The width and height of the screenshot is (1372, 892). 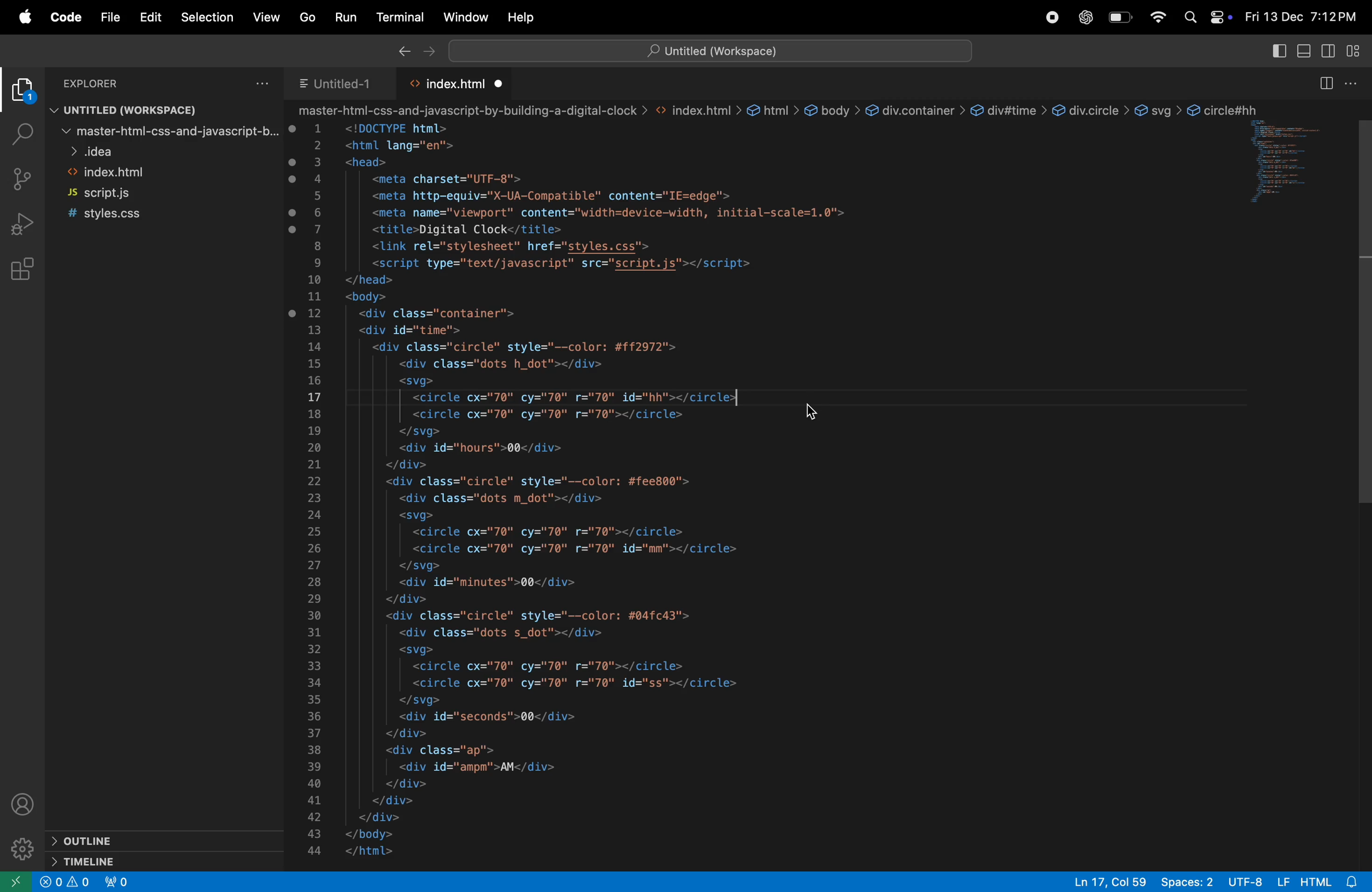 What do you see at coordinates (524, 14) in the screenshot?
I see `Help` at bounding box center [524, 14].